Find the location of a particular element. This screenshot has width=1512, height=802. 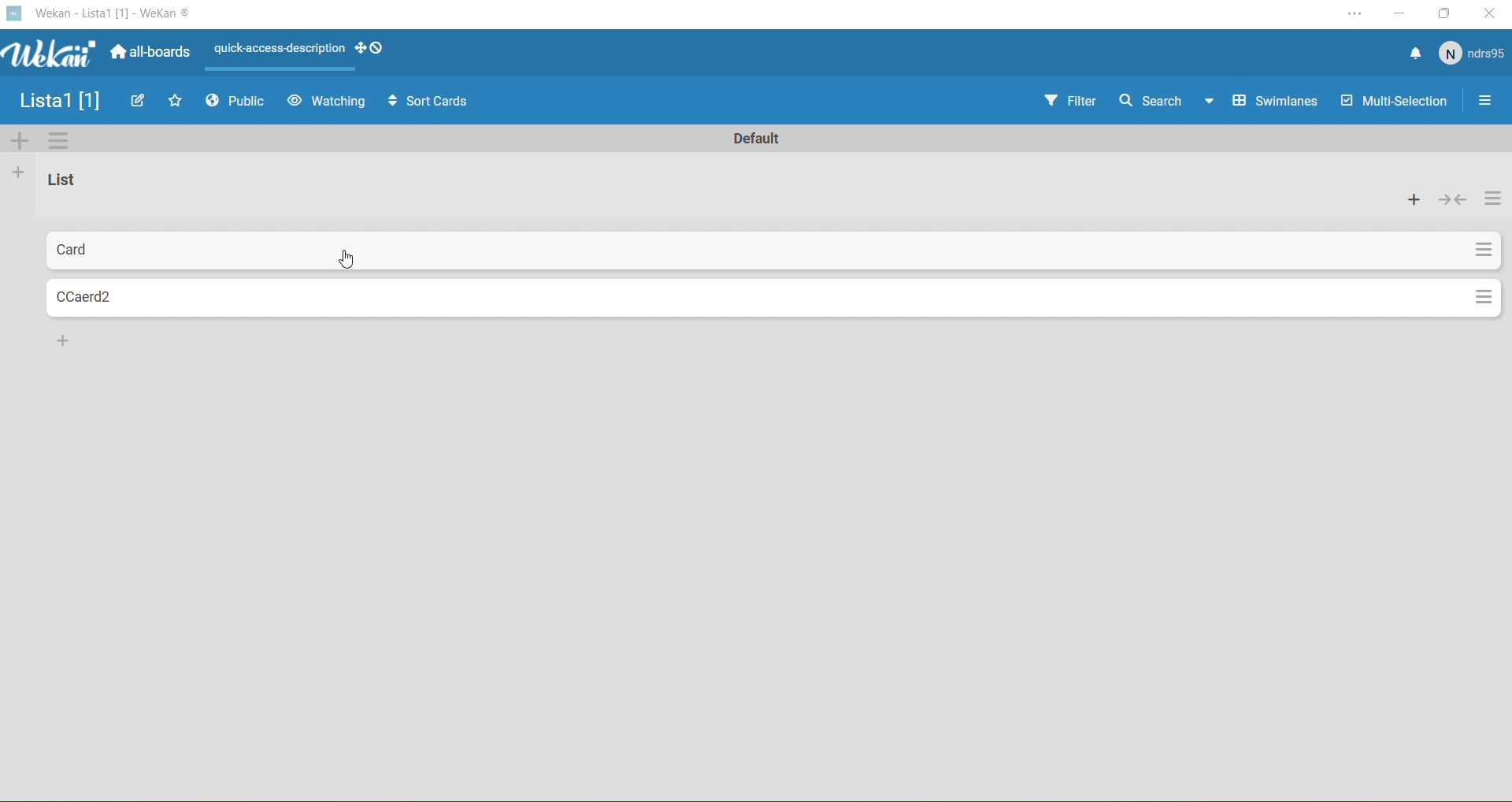

Add is located at coordinates (20, 177).